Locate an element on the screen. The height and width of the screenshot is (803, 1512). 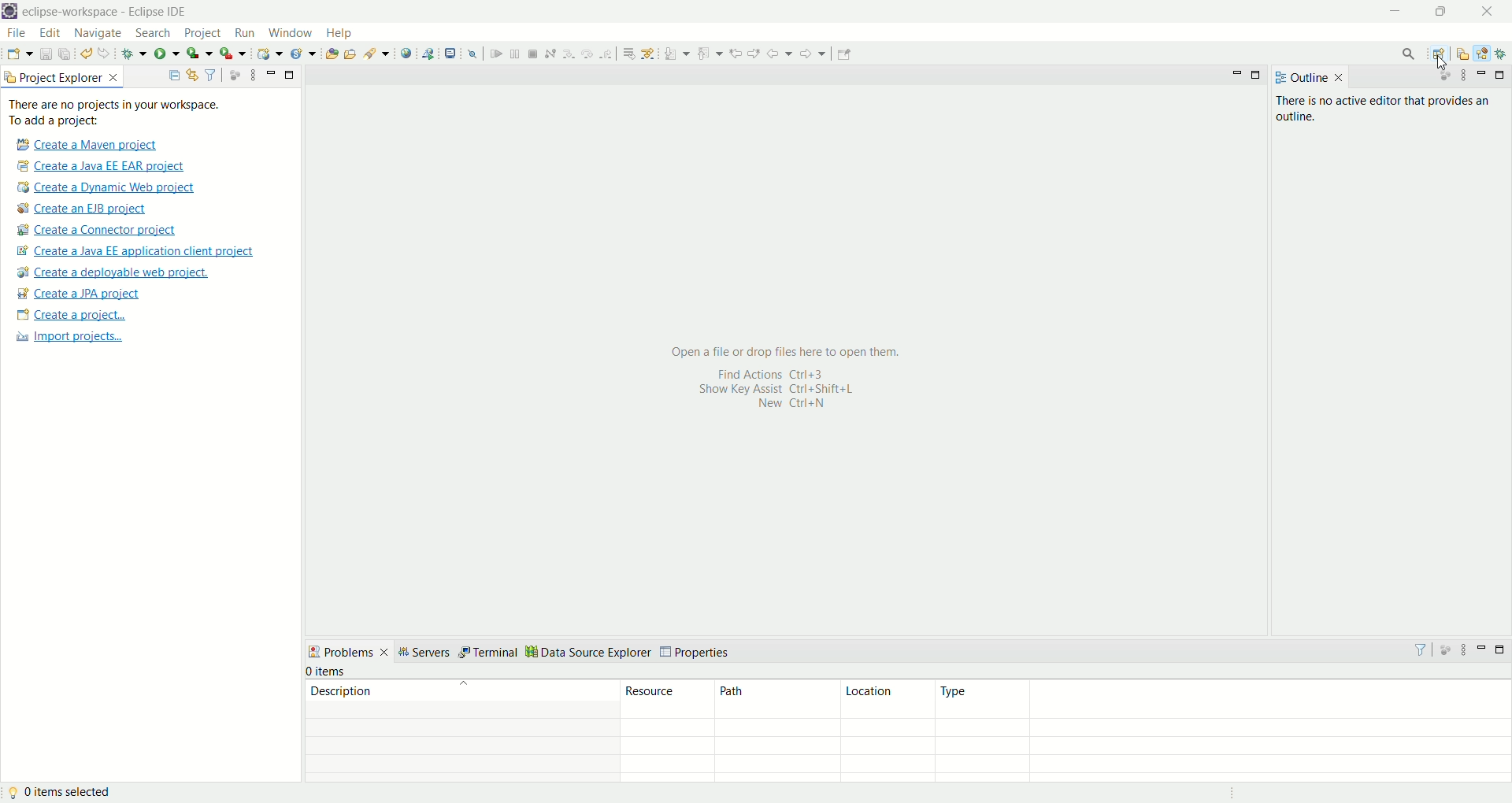
focus on active task is located at coordinates (1442, 76).